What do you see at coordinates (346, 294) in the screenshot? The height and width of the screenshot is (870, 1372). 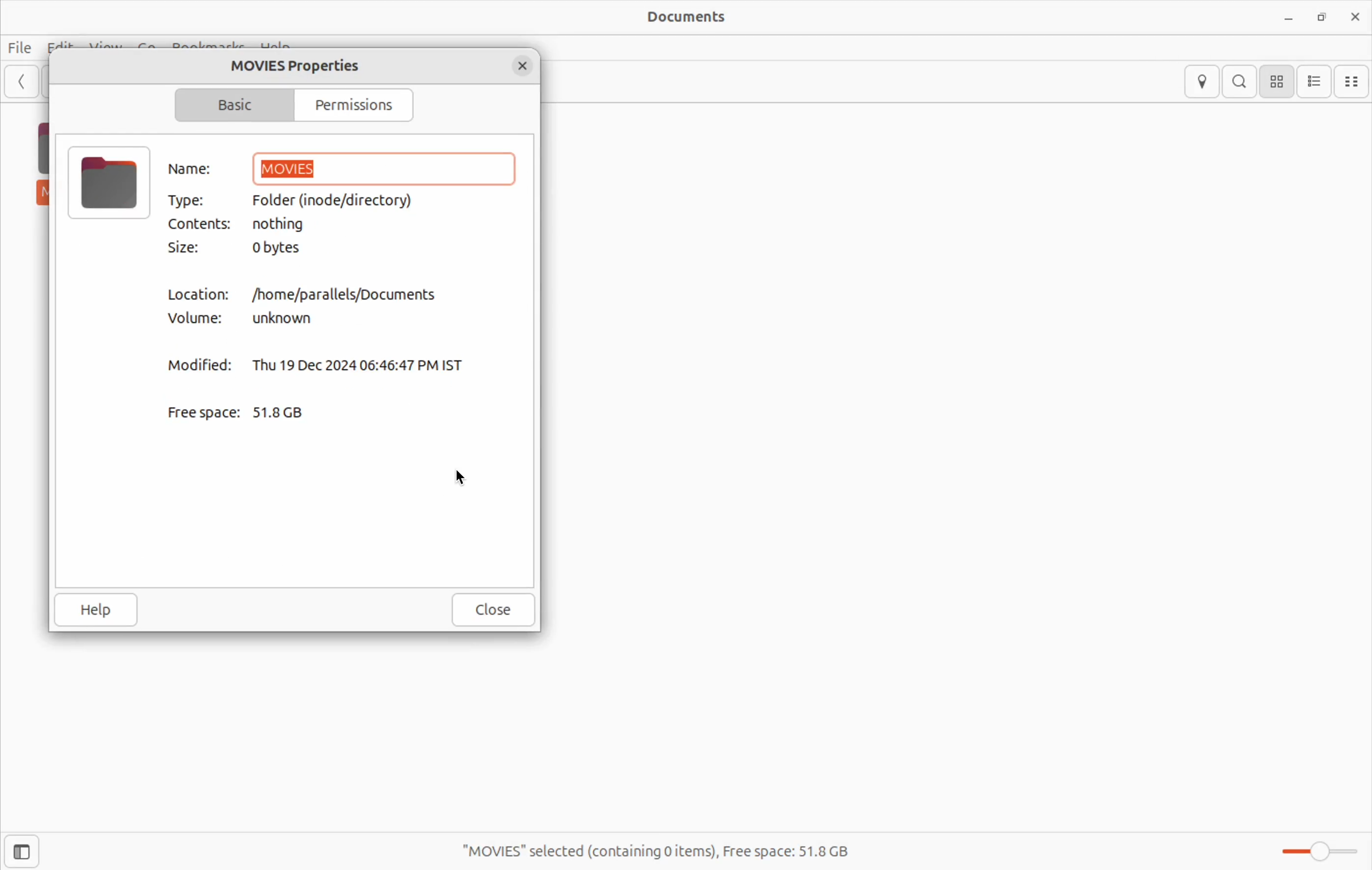 I see `home path` at bounding box center [346, 294].